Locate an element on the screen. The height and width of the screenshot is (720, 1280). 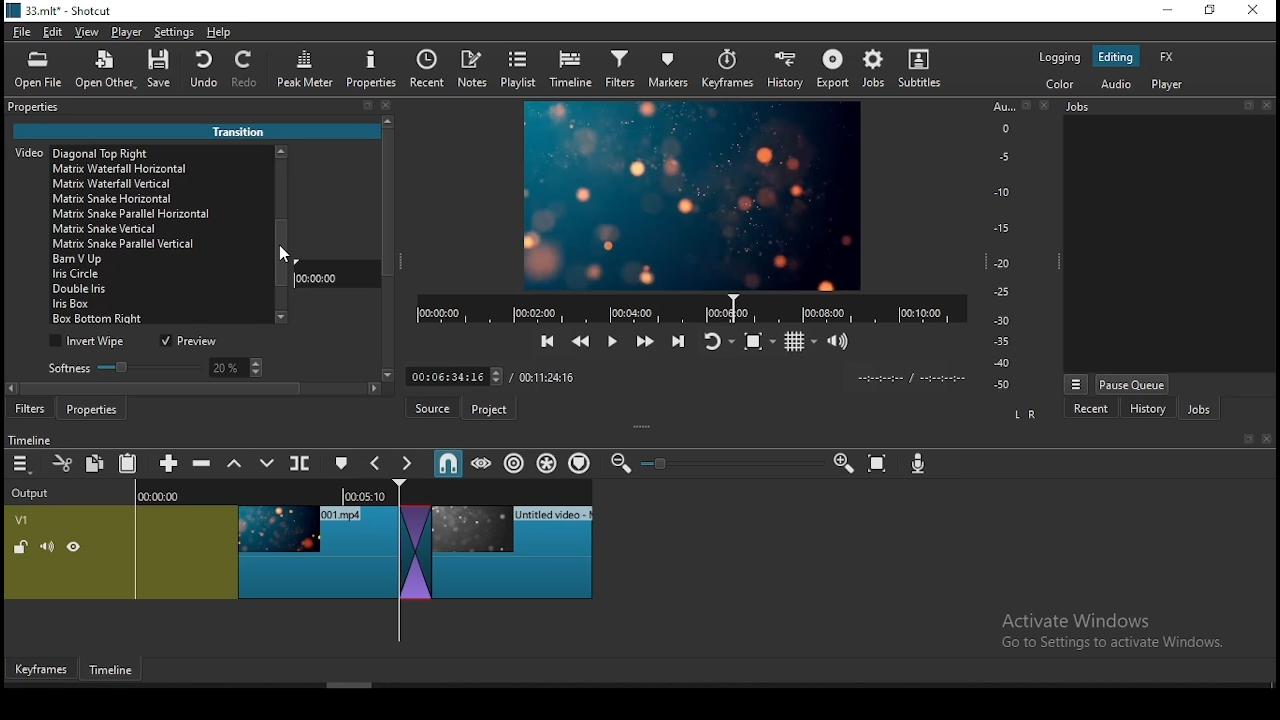
export is located at coordinates (835, 68).